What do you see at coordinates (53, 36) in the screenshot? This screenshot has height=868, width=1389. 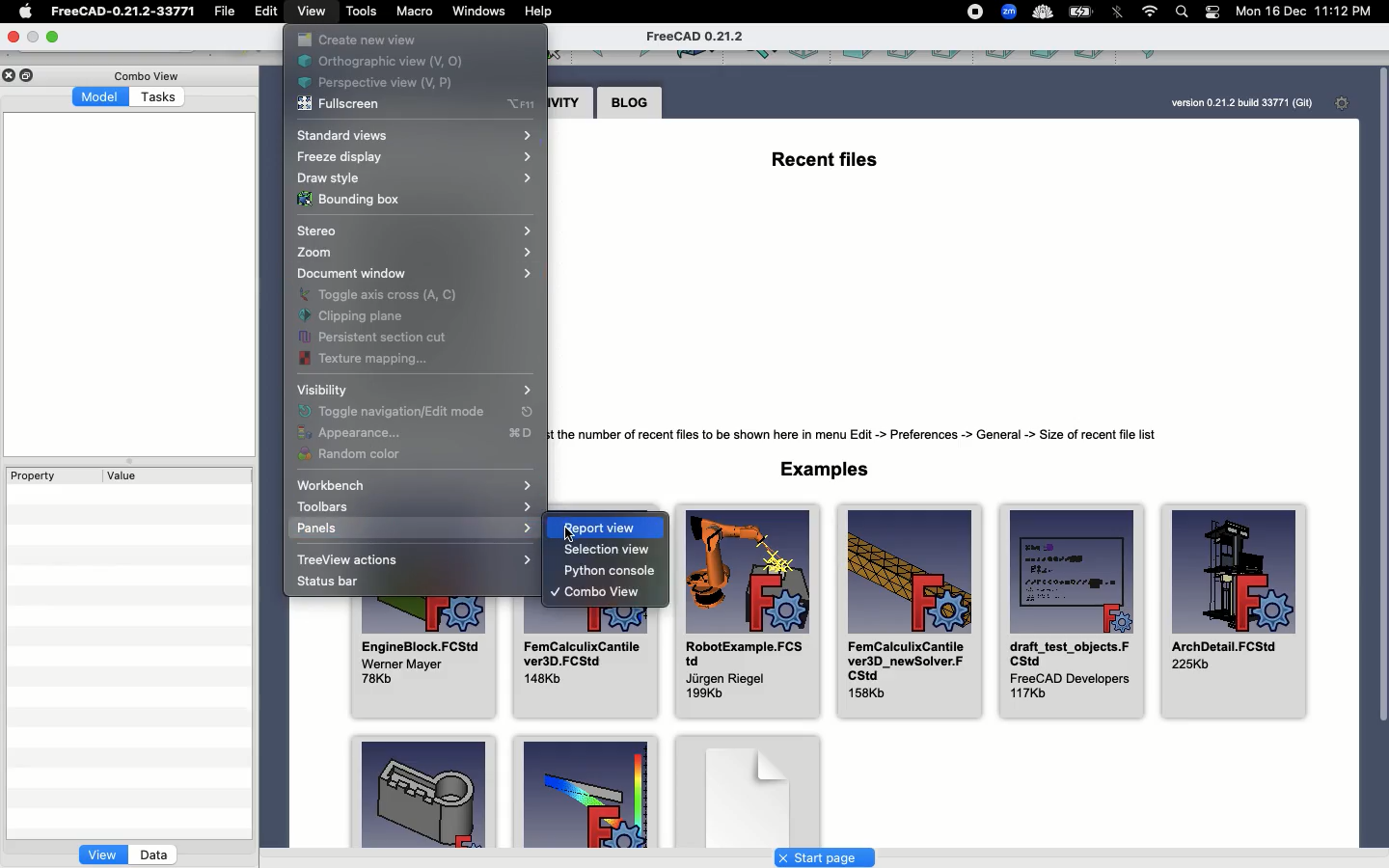 I see `Maximize` at bounding box center [53, 36].